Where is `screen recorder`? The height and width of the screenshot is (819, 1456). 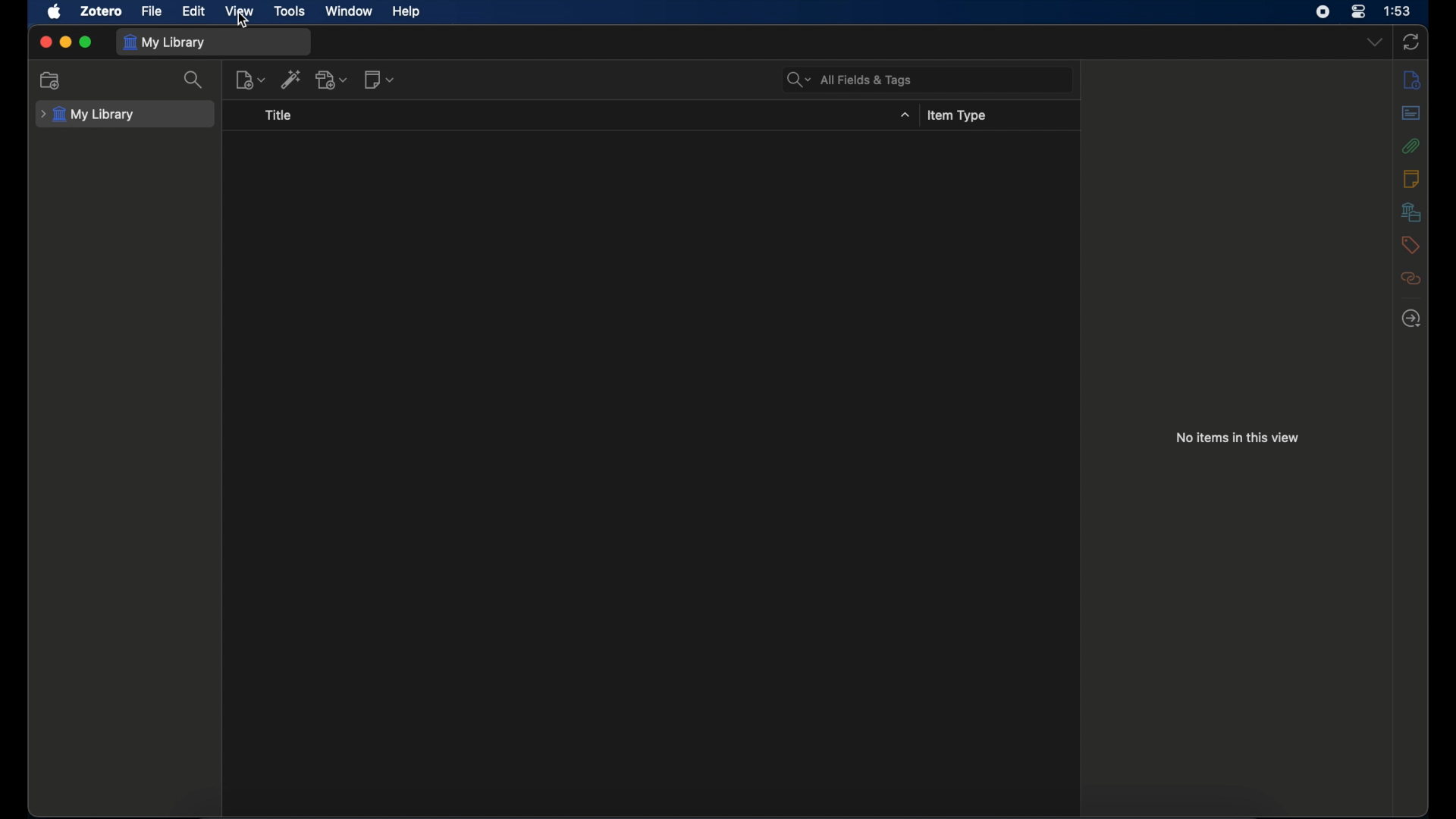 screen recorder is located at coordinates (1323, 11).